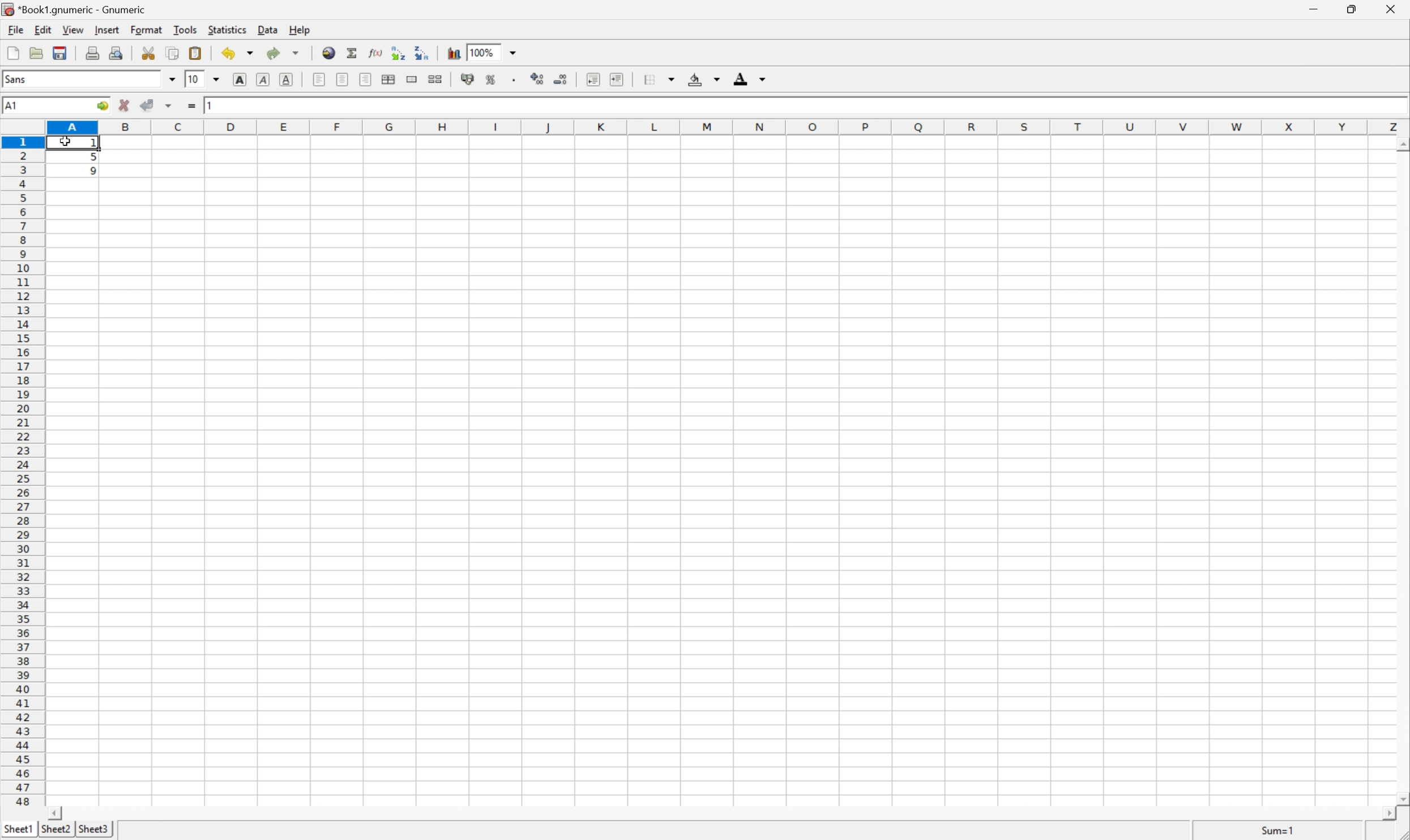 The width and height of the screenshot is (1410, 840). I want to click on drop down, so click(173, 79).